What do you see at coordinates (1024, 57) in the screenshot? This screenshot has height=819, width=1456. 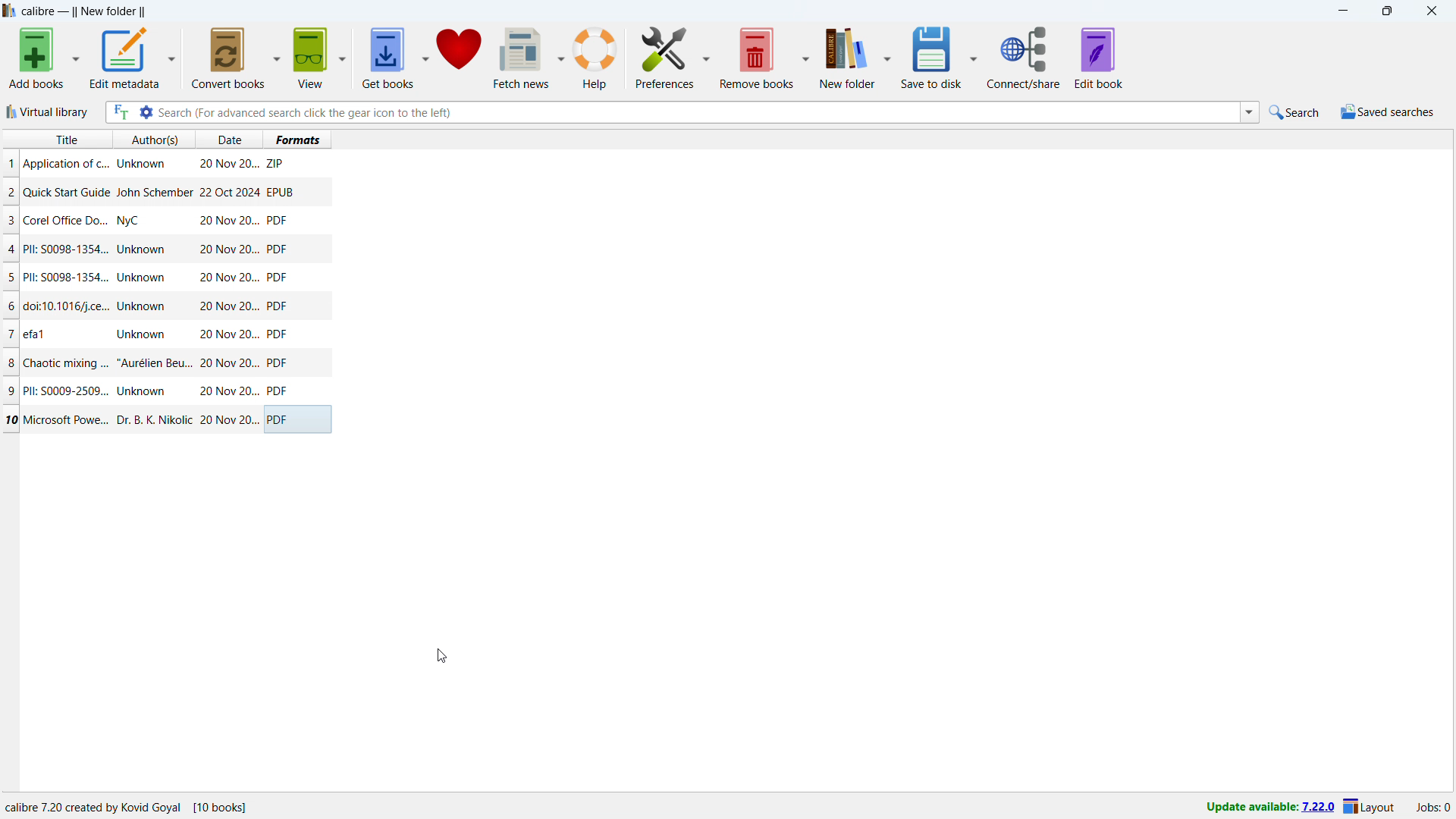 I see `connect/share` at bounding box center [1024, 57].